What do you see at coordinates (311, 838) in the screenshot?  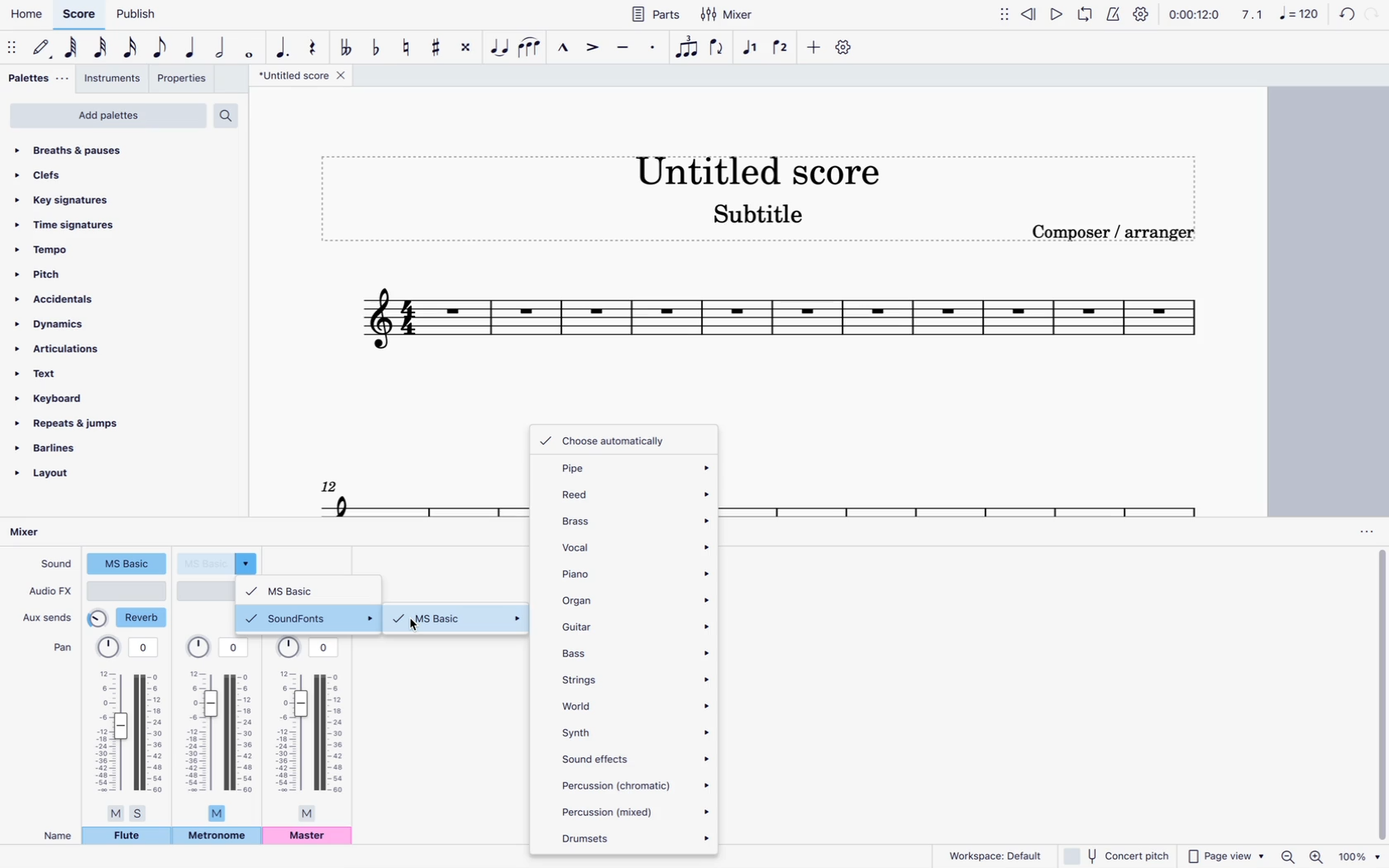 I see `master` at bounding box center [311, 838].